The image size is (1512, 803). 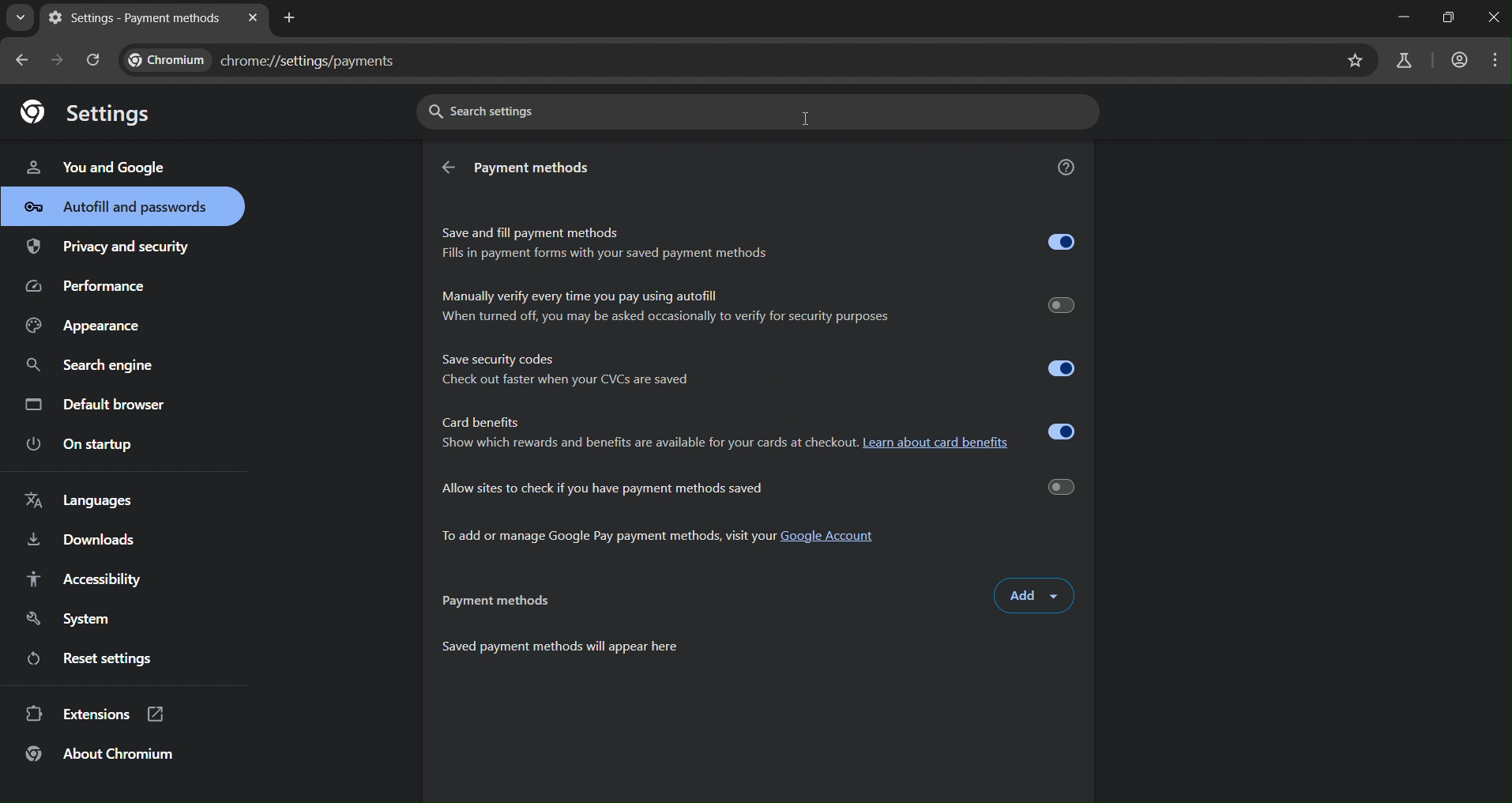 I want to click on back, so click(x=448, y=167).